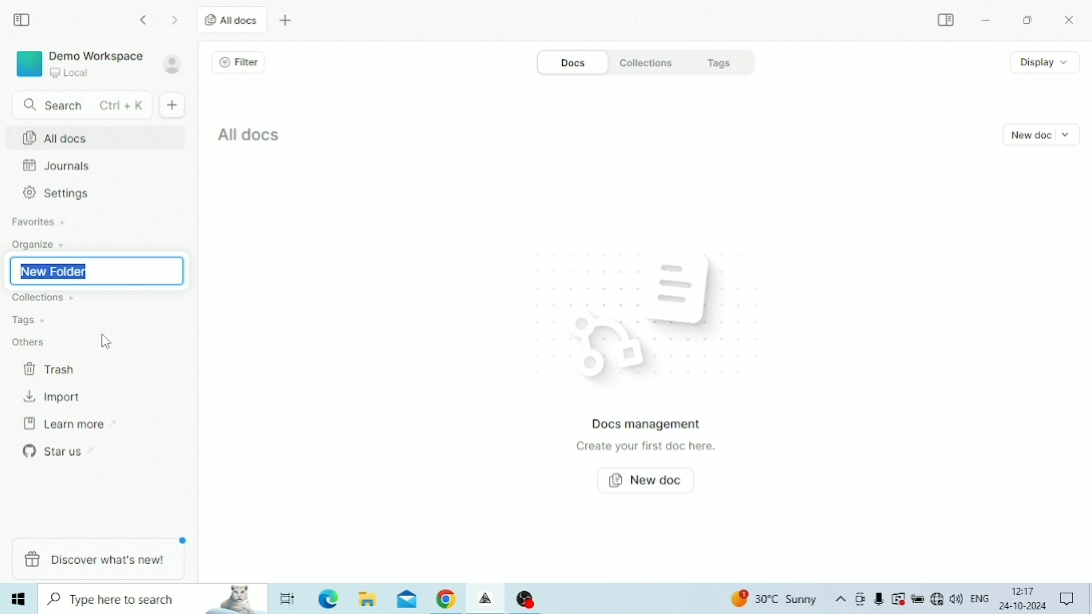 The image size is (1092, 614). I want to click on Favourites, so click(40, 222).